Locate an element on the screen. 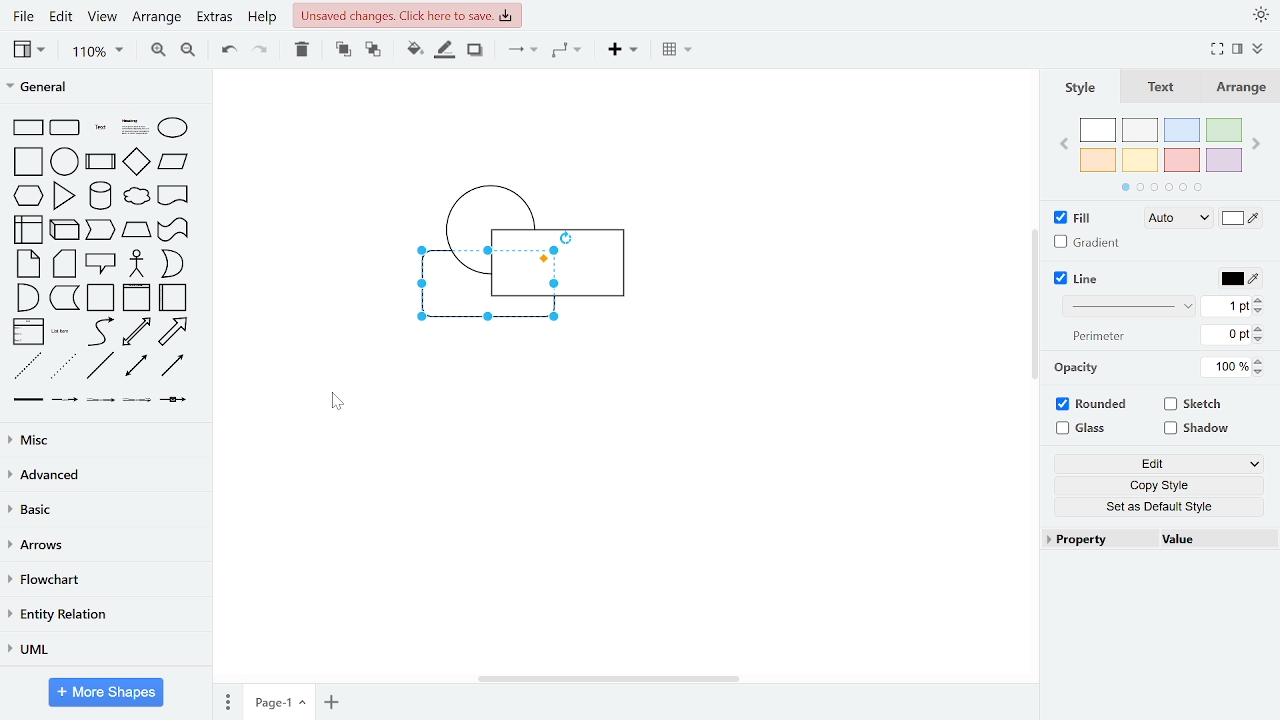  arrange is located at coordinates (1241, 88).